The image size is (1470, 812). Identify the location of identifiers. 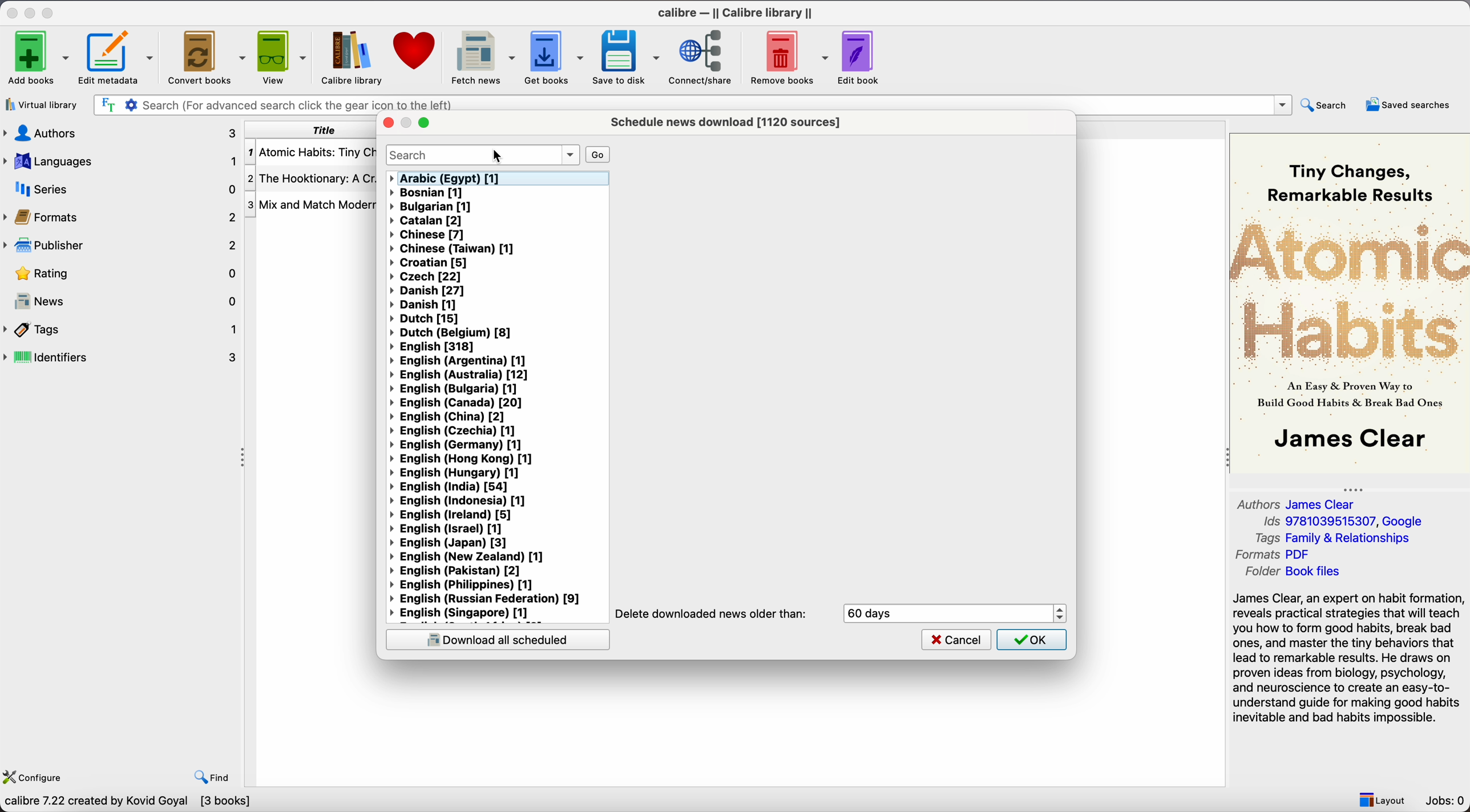
(122, 358).